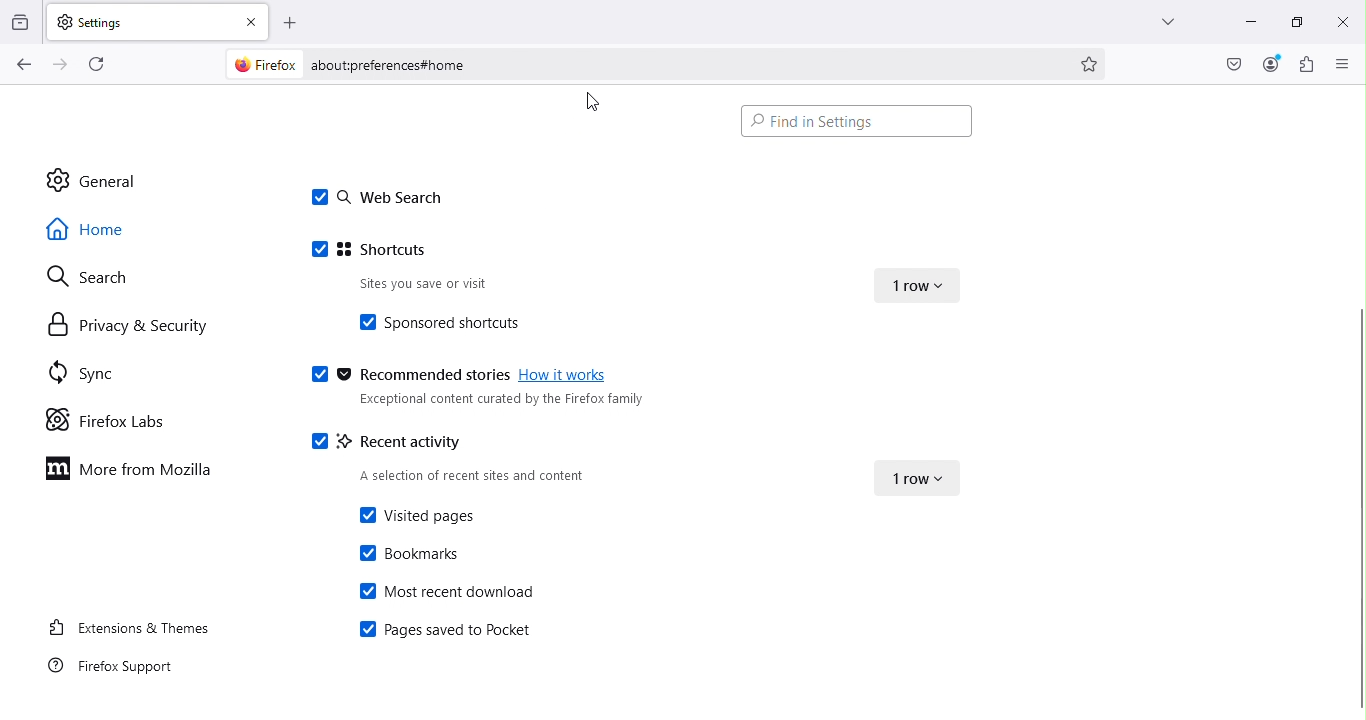 The height and width of the screenshot is (720, 1366). What do you see at coordinates (567, 378) in the screenshot?
I see `How it works` at bounding box center [567, 378].